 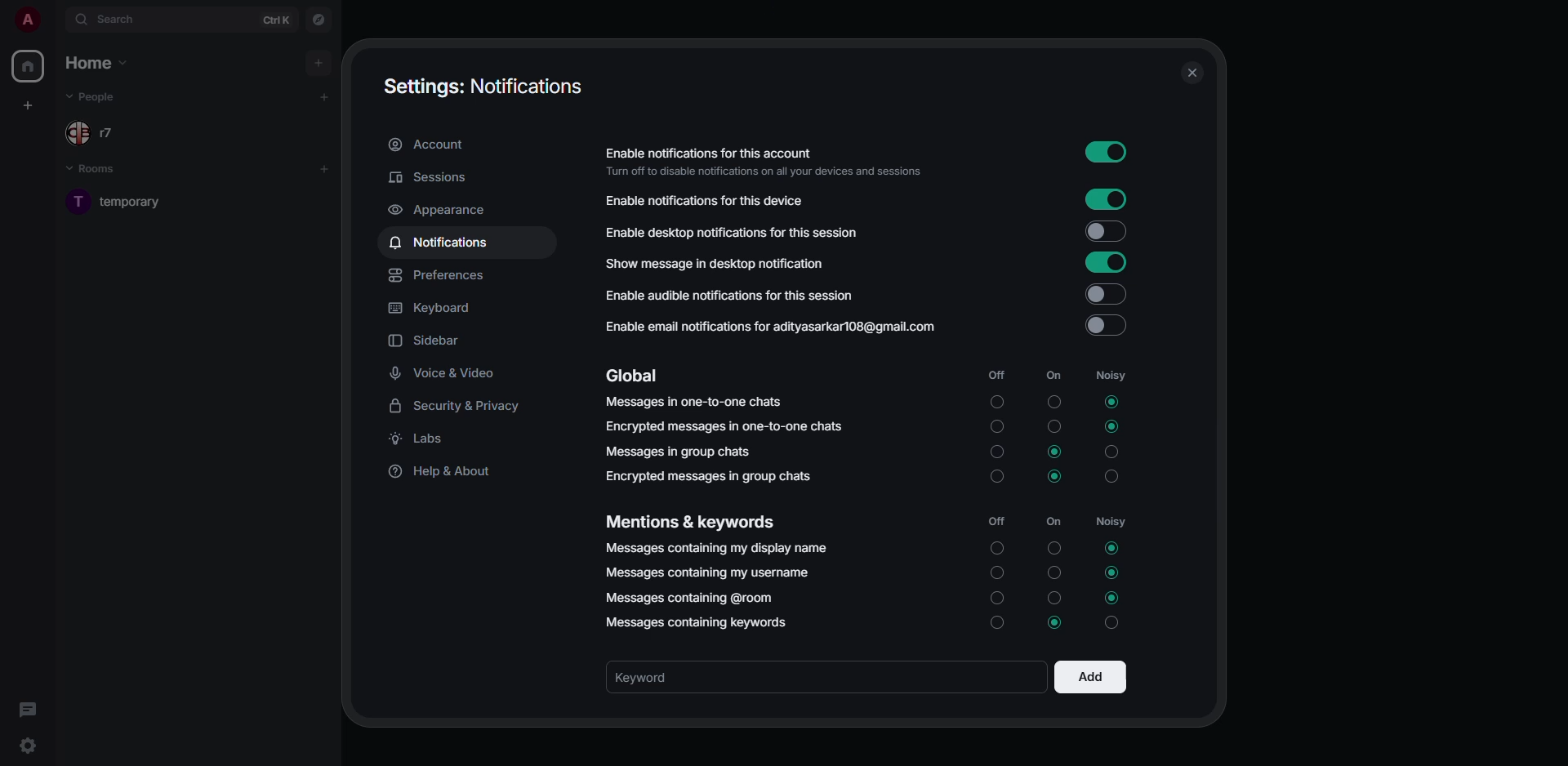 What do you see at coordinates (728, 294) in the screenshot?
I see `enable audible notifications` at bounding box center [728, 294].